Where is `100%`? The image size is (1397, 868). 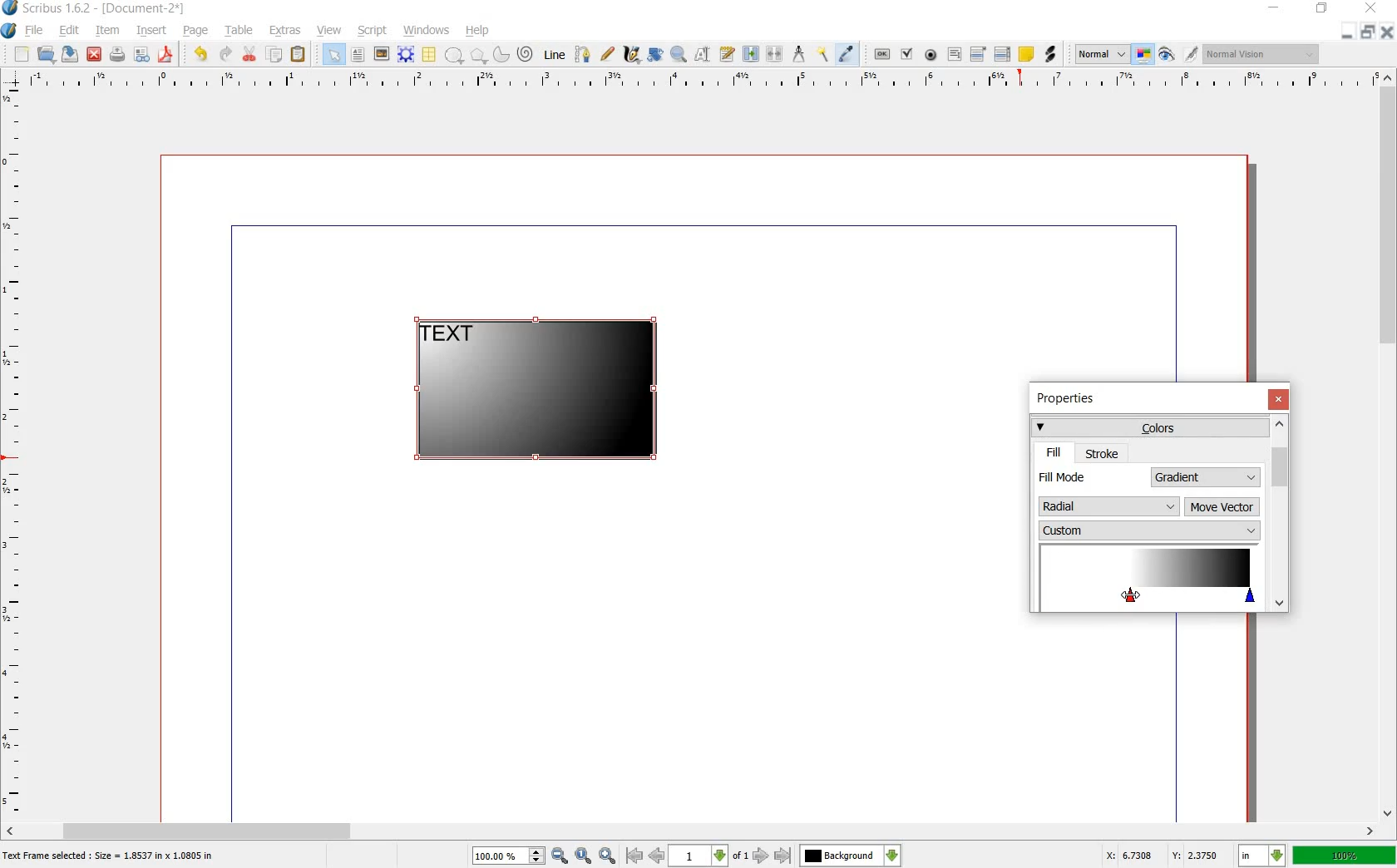 100% is located at coordinates (500, 856).